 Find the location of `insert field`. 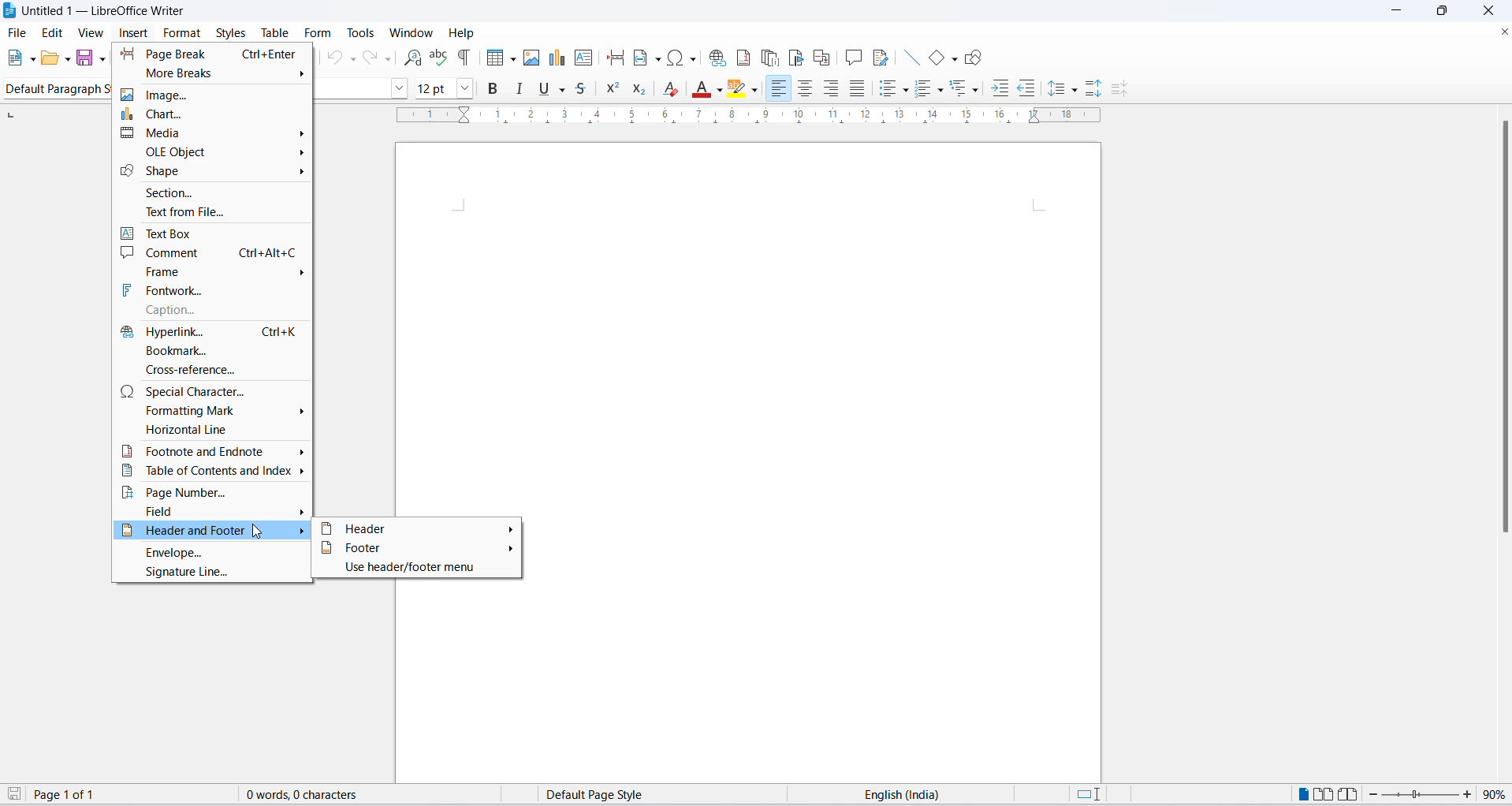

insert field is located at coordinates (646, 59).